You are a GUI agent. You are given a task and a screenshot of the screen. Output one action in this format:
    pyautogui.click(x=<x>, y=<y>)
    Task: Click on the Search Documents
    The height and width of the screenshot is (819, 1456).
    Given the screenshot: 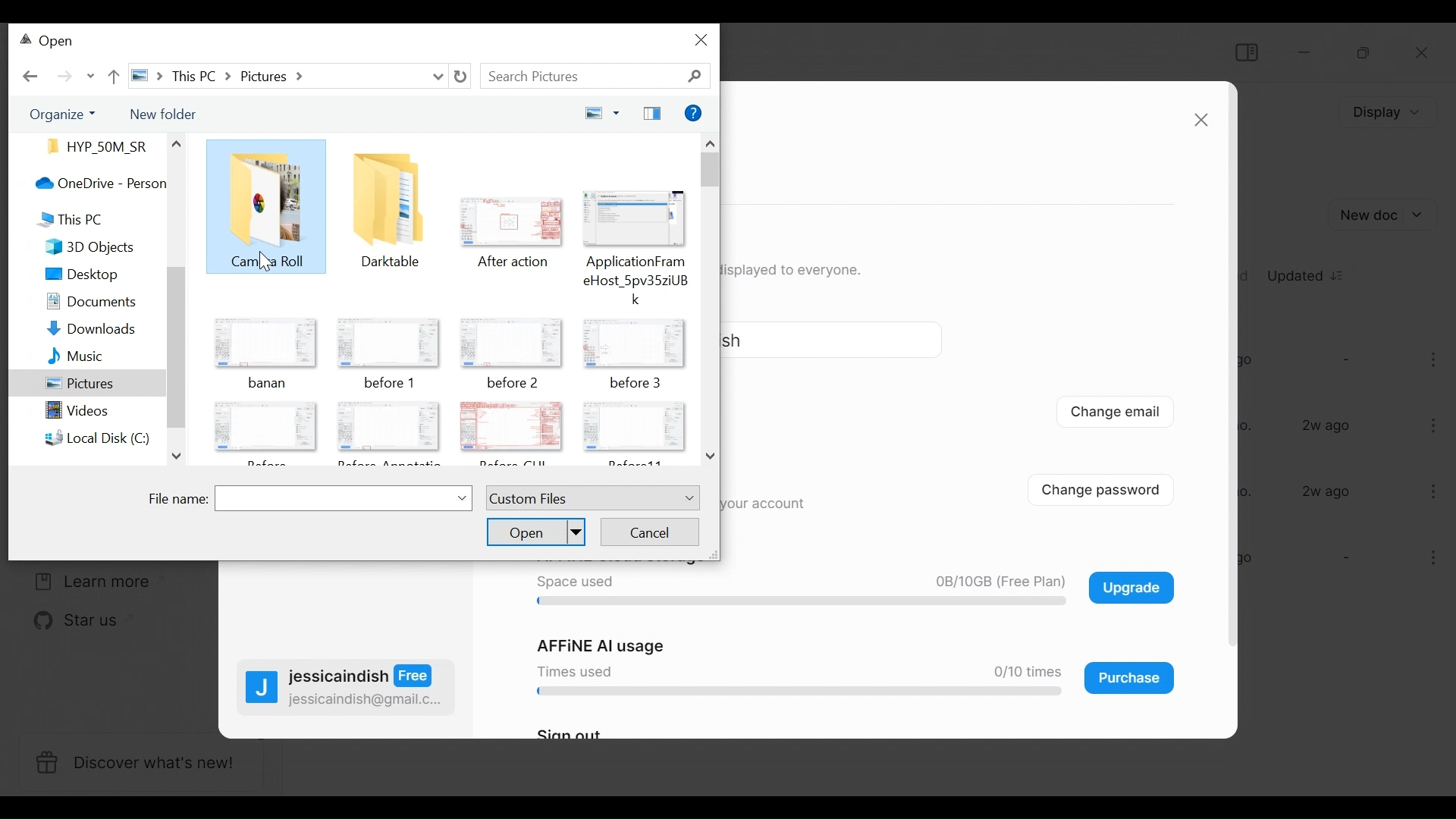 What is the action you would take?
    pyautogui.click(x=597, y=77)
    